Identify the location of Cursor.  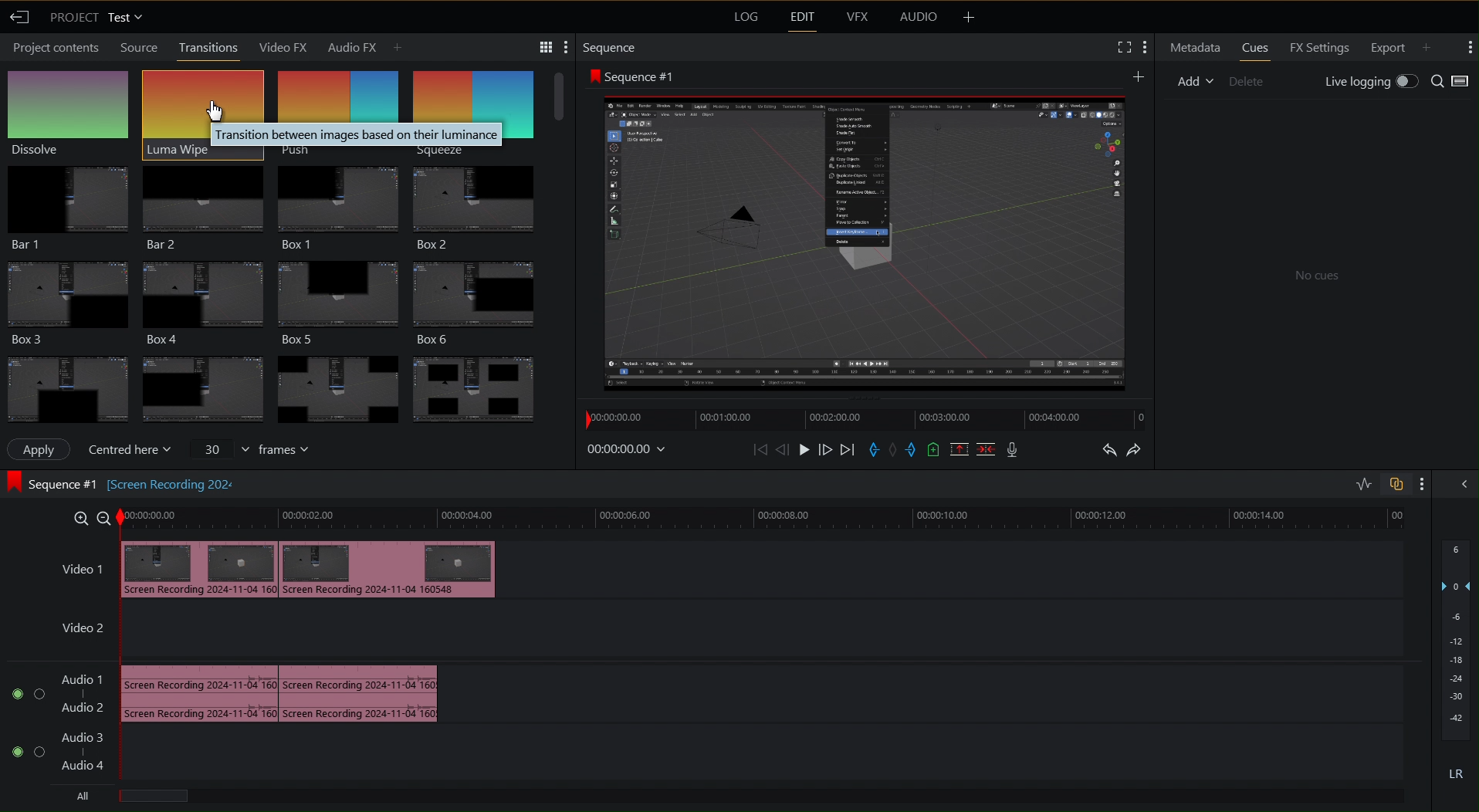
(215, 113).